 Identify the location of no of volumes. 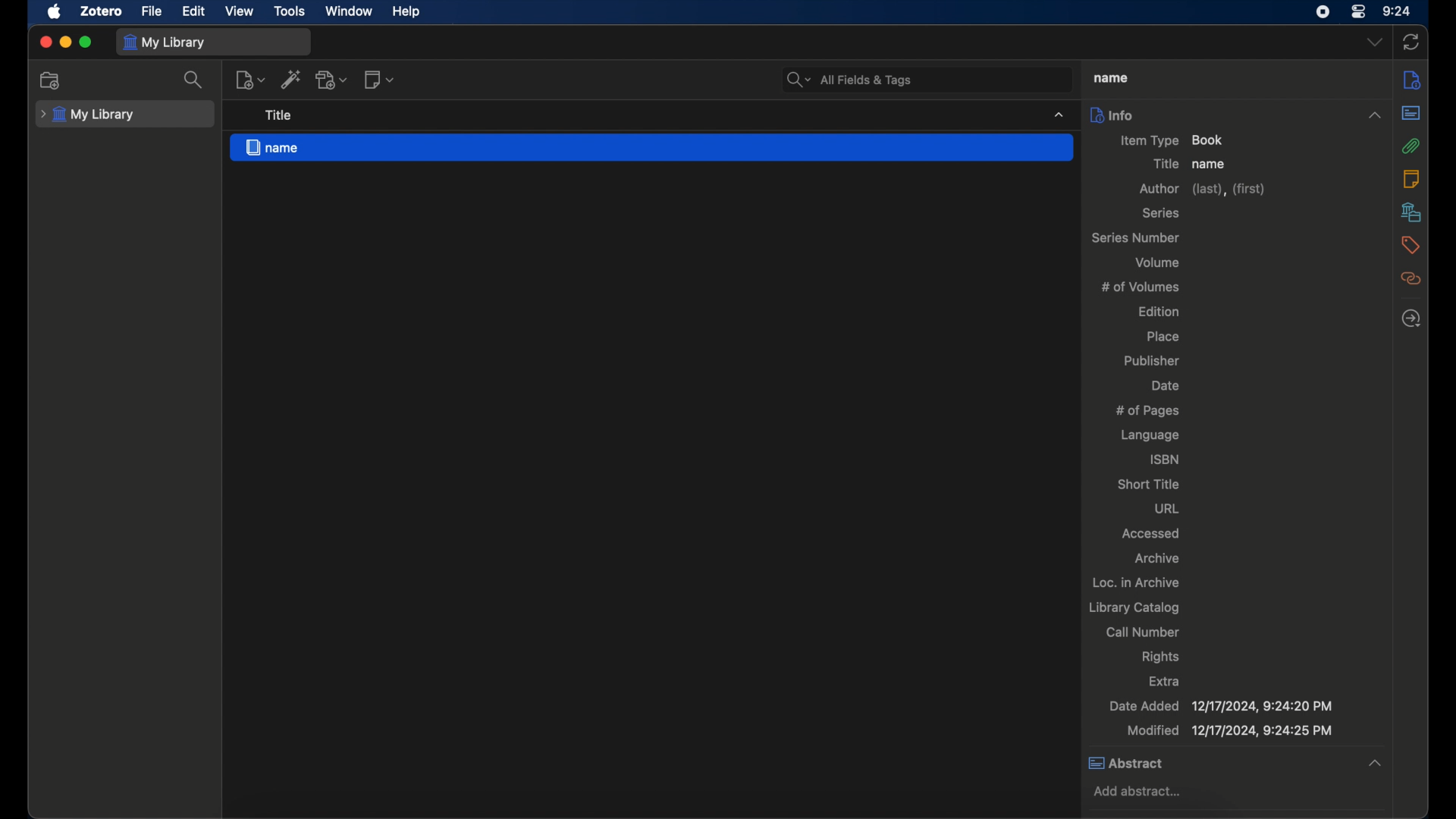
(1141, 287).